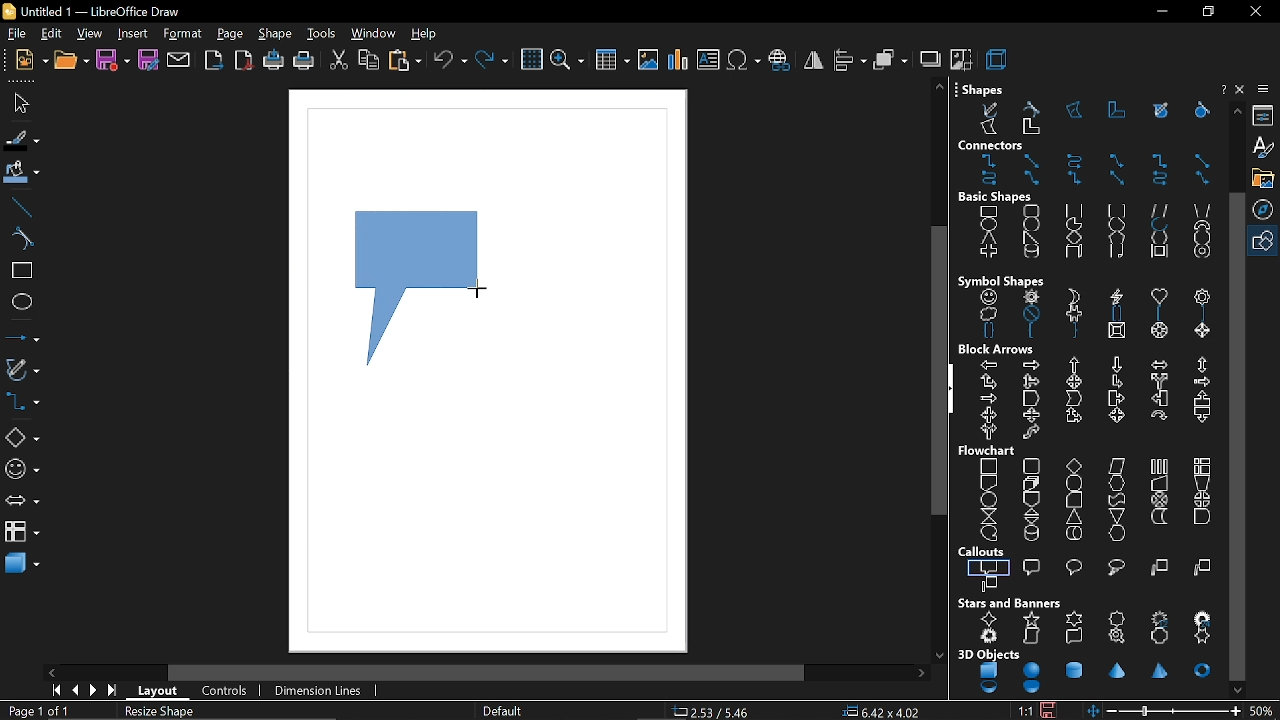 The height and width of the screenshot is (720, 1280). I want to click on restore down, so click(1206, 12).